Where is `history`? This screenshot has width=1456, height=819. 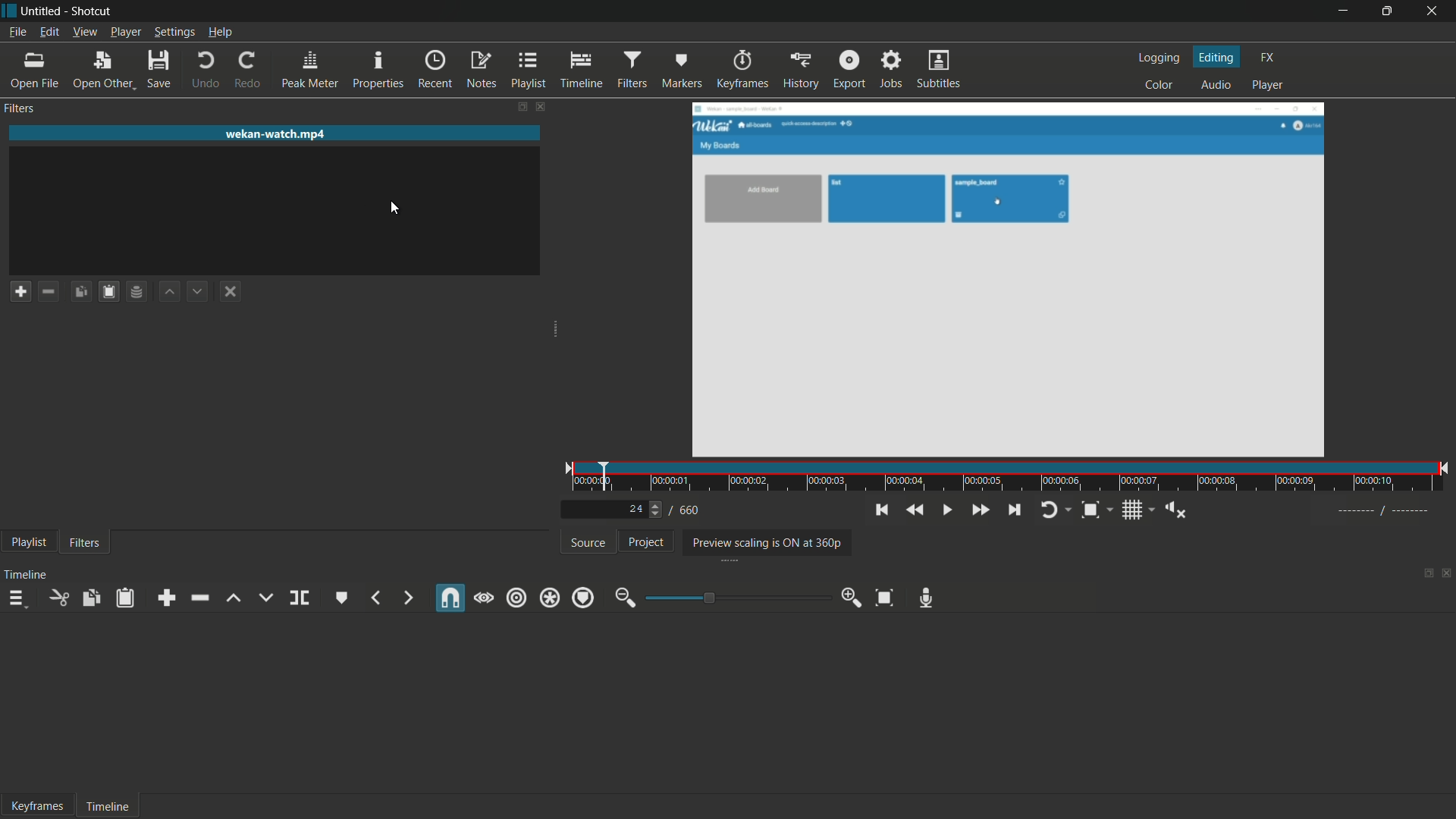 history is located at coordinates (801, 70).